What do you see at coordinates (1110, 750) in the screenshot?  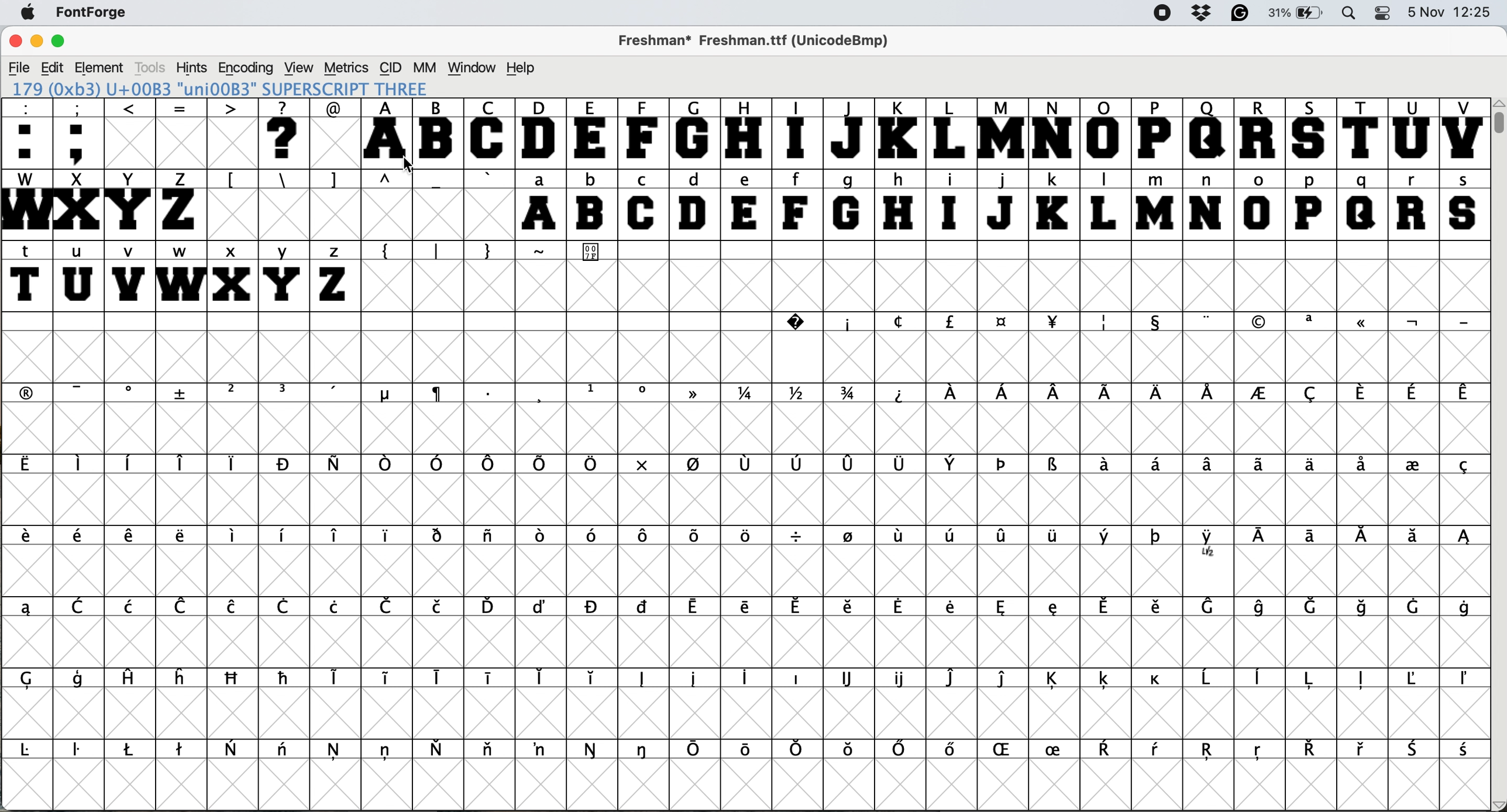 I see `symbol` at bounding box center [1110, 750].